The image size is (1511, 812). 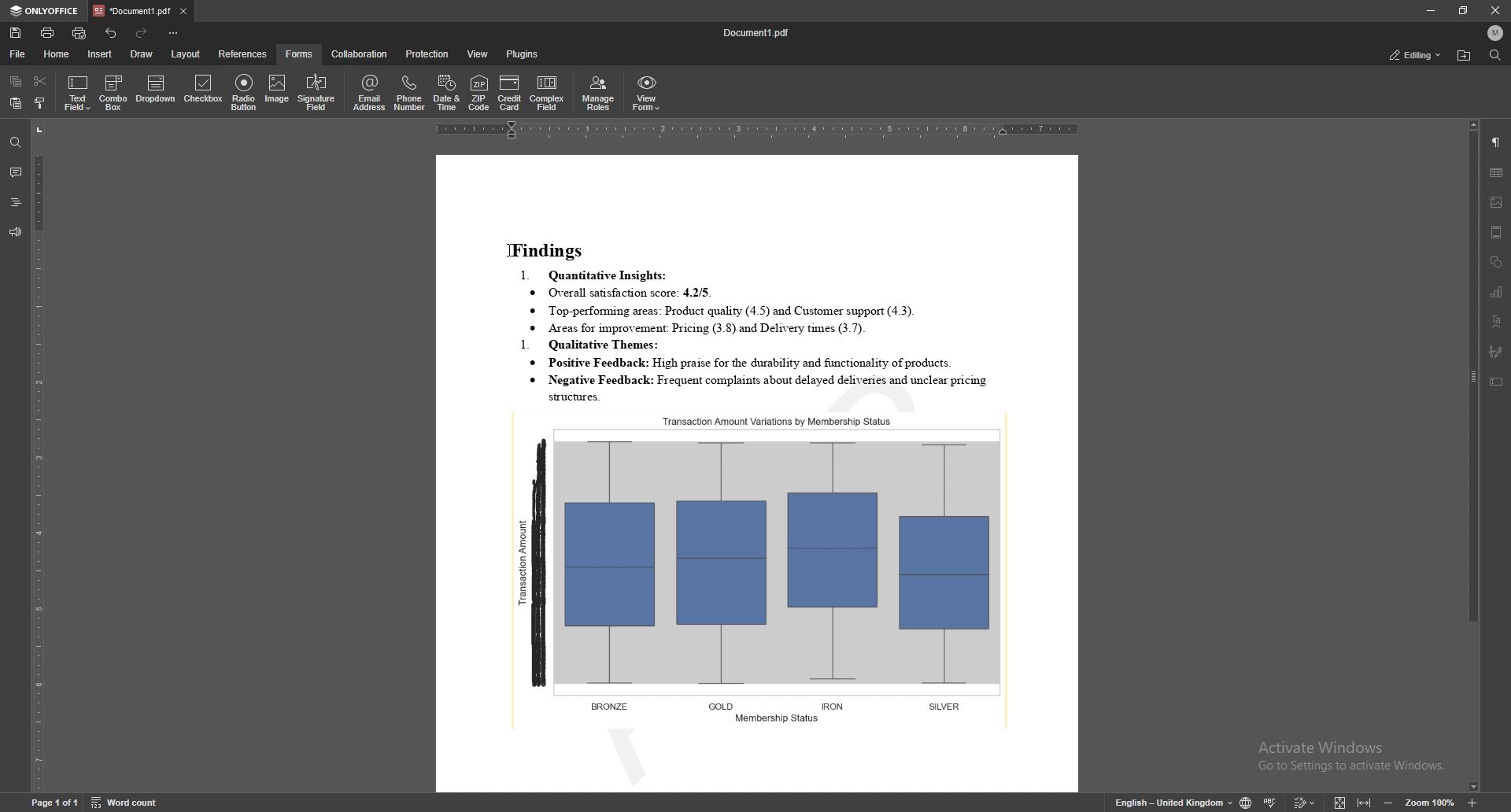 What do you see at coordinates (1471, 456) in the screenshot?
I see `scroll bar` at bounding box center [1471, 456].